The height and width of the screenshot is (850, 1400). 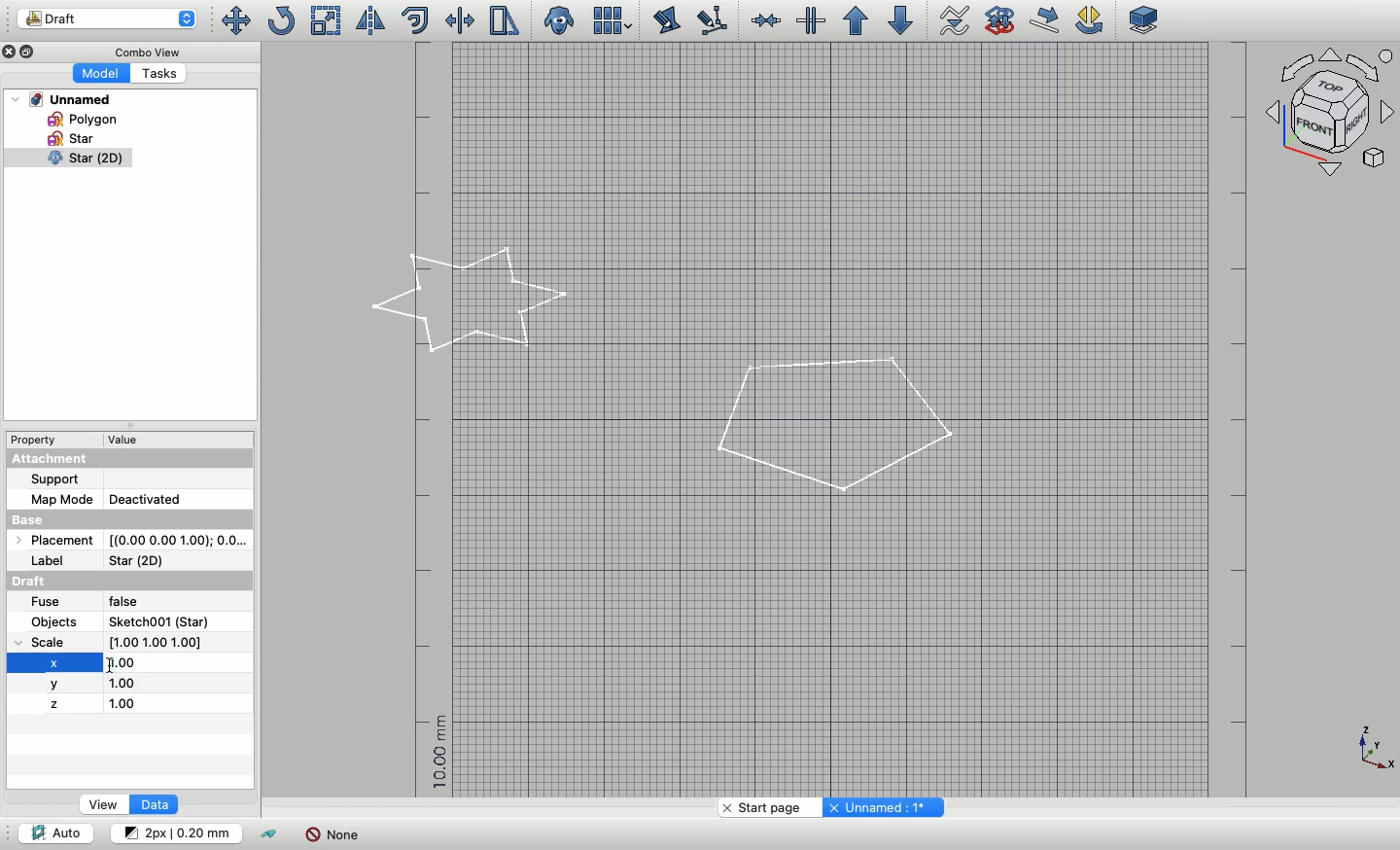 What do you see at coordinates (897, 20) in the screenshot?
I see `Downgrade` at bounding box center [897, 20].